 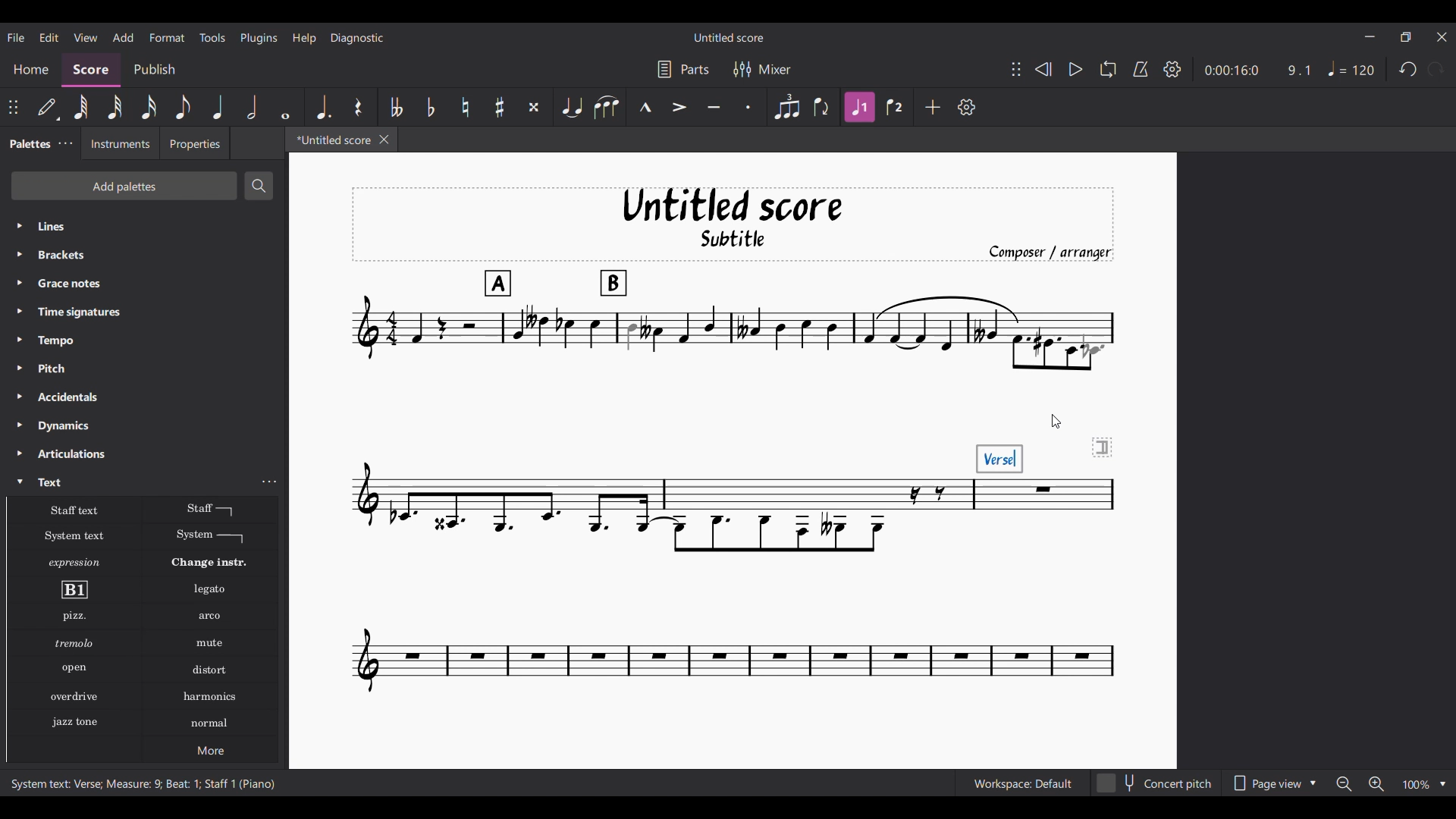 I want to click on Quarter note, so click(x=218, y=106).